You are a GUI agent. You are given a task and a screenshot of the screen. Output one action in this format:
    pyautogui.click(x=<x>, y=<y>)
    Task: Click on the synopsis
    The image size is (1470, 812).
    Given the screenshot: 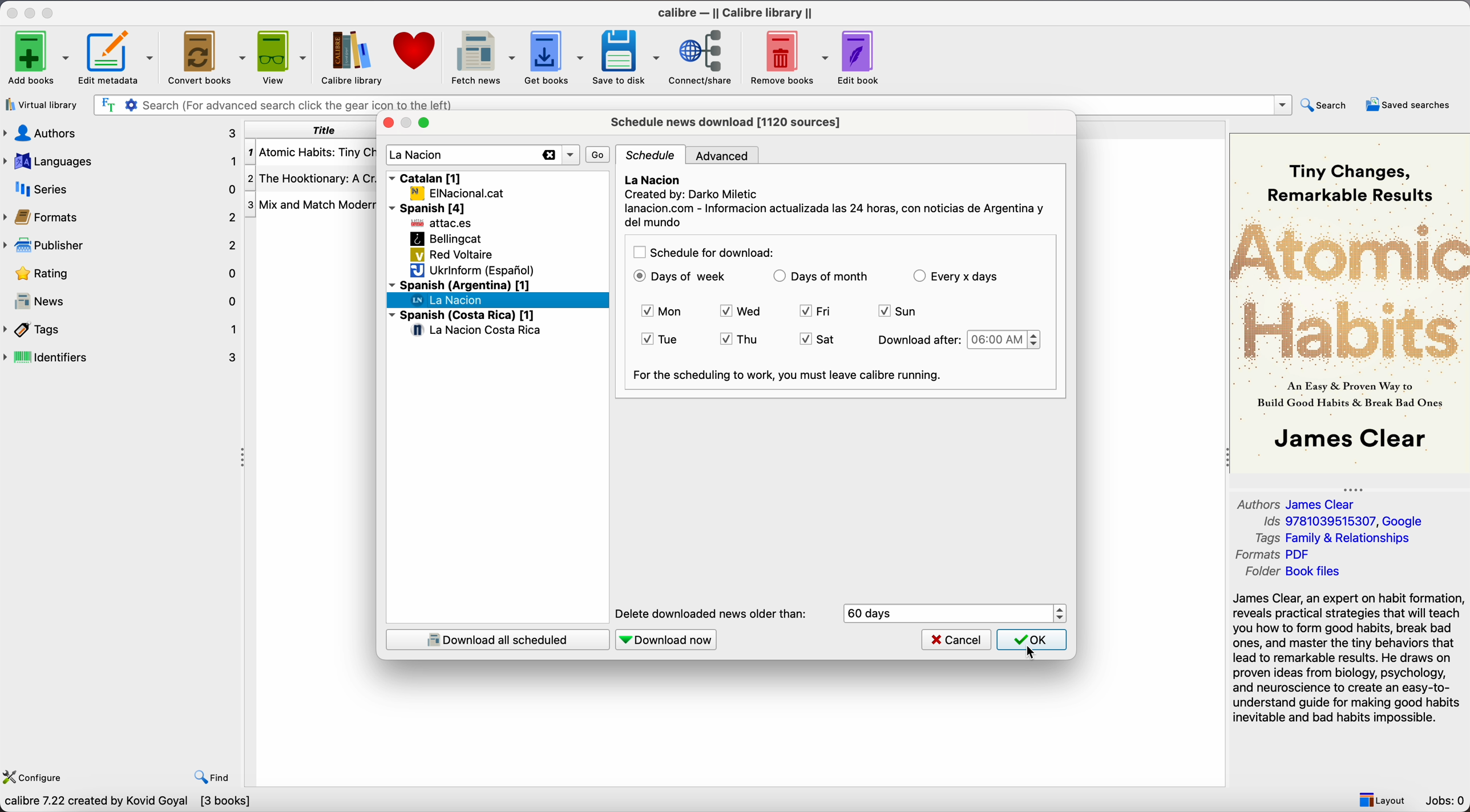 What is the action you would take?
    pyautogui.click(x=1350, y=659)
    